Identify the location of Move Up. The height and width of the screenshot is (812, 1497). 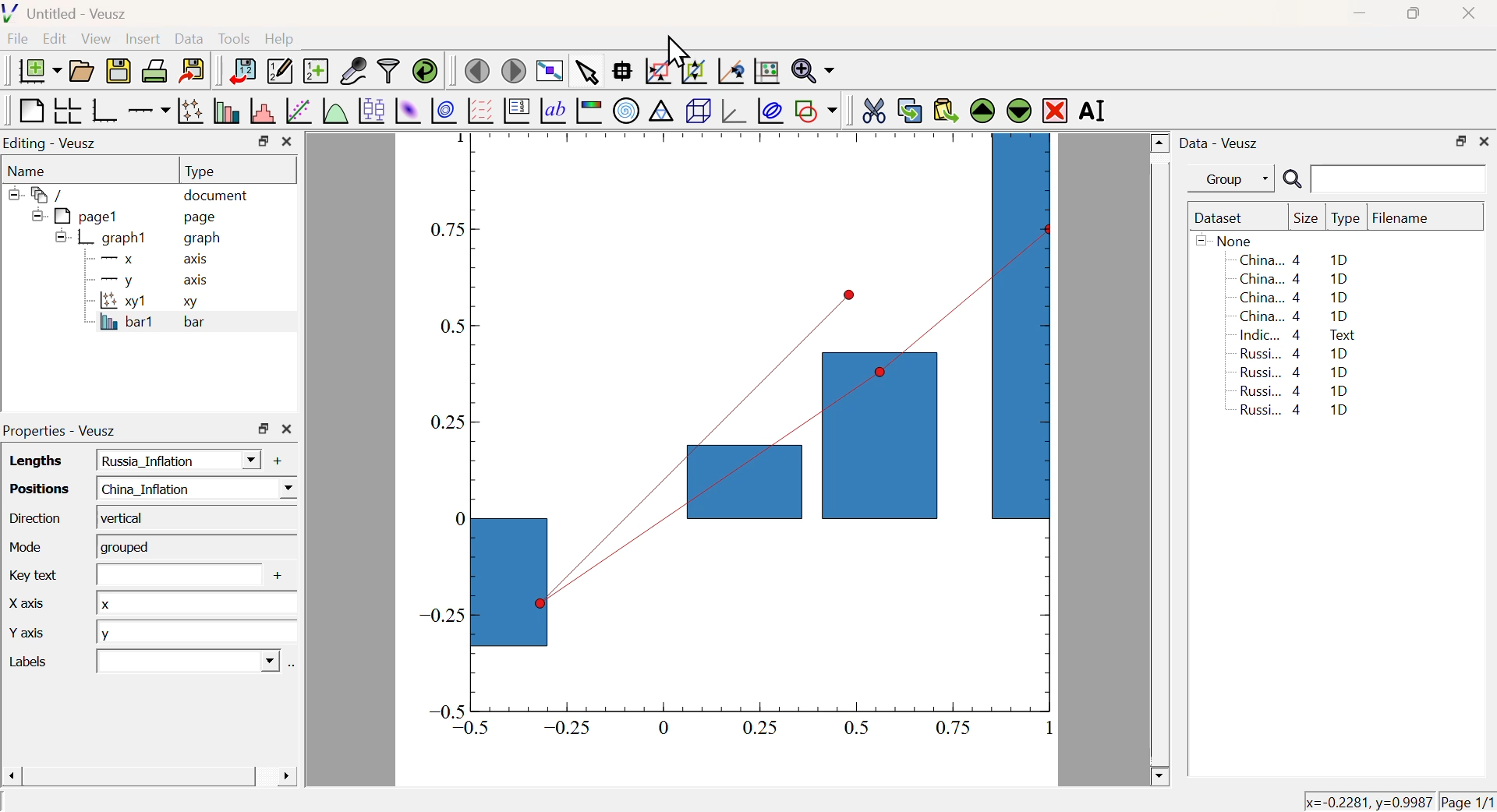
(984, 111).